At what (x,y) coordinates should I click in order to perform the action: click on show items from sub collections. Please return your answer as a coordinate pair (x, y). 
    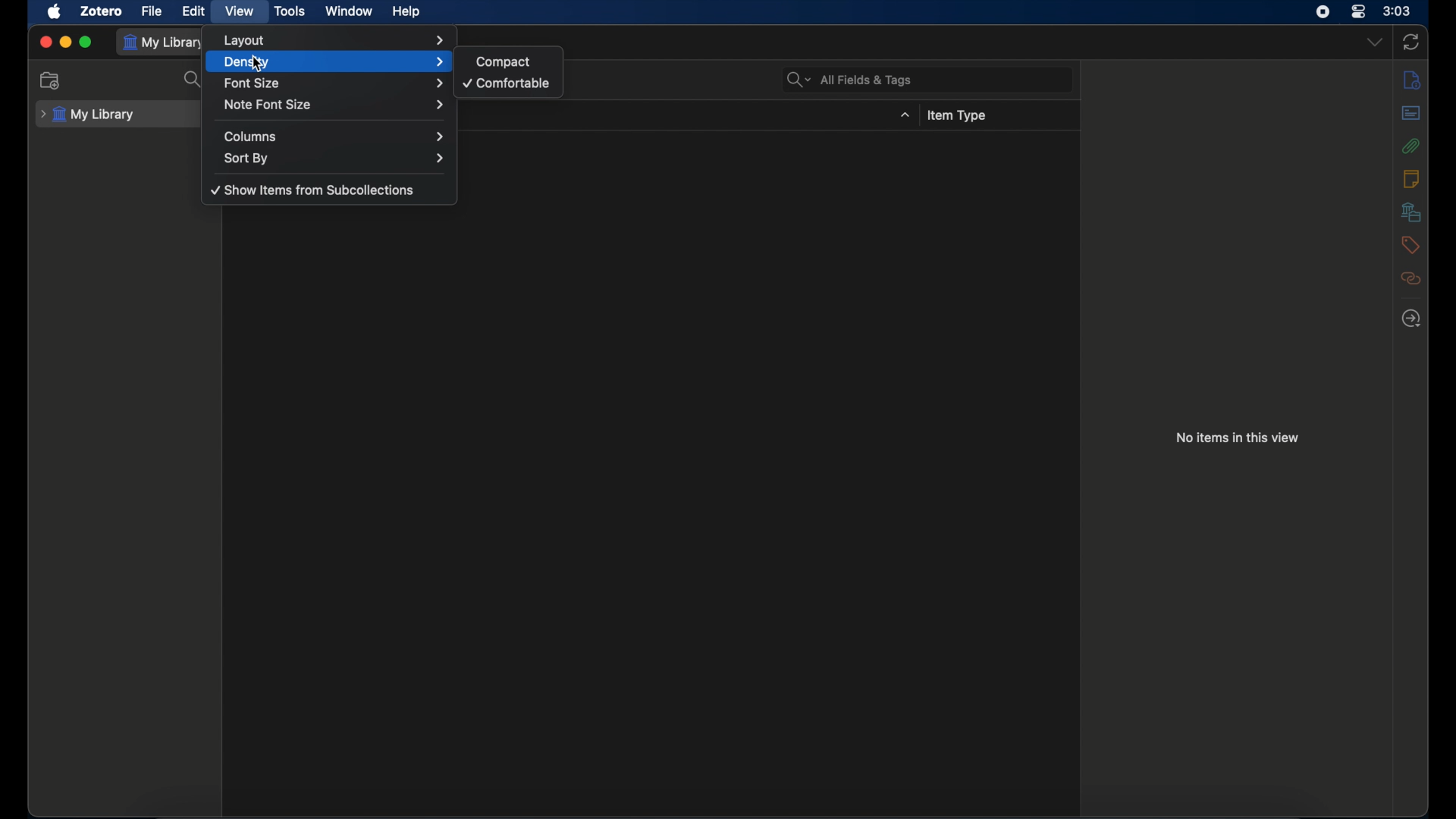
    Looking at the image, I should click on (313, 190).